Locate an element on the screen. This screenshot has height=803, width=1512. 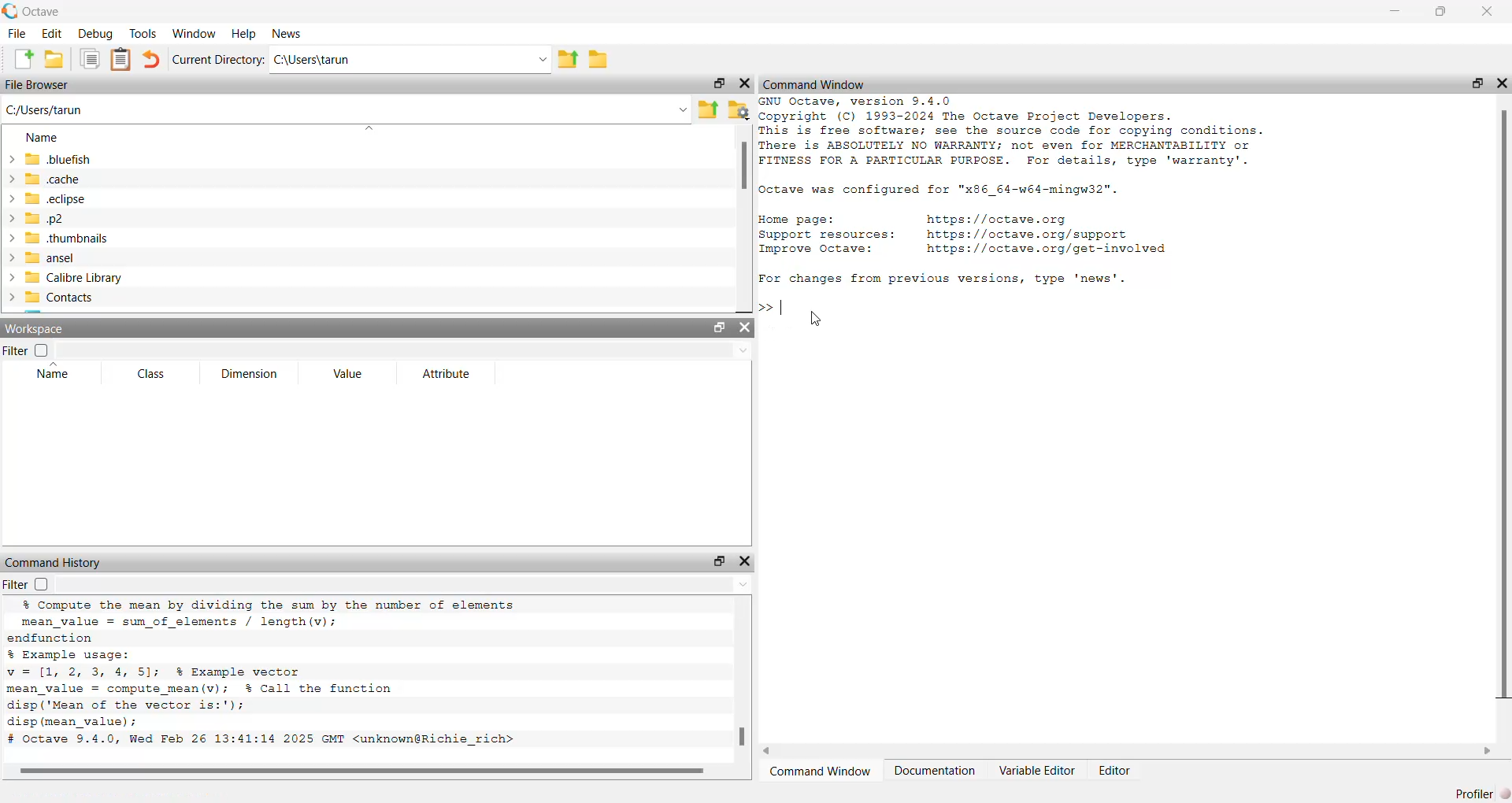
close is located at coordinates (1502, 83).